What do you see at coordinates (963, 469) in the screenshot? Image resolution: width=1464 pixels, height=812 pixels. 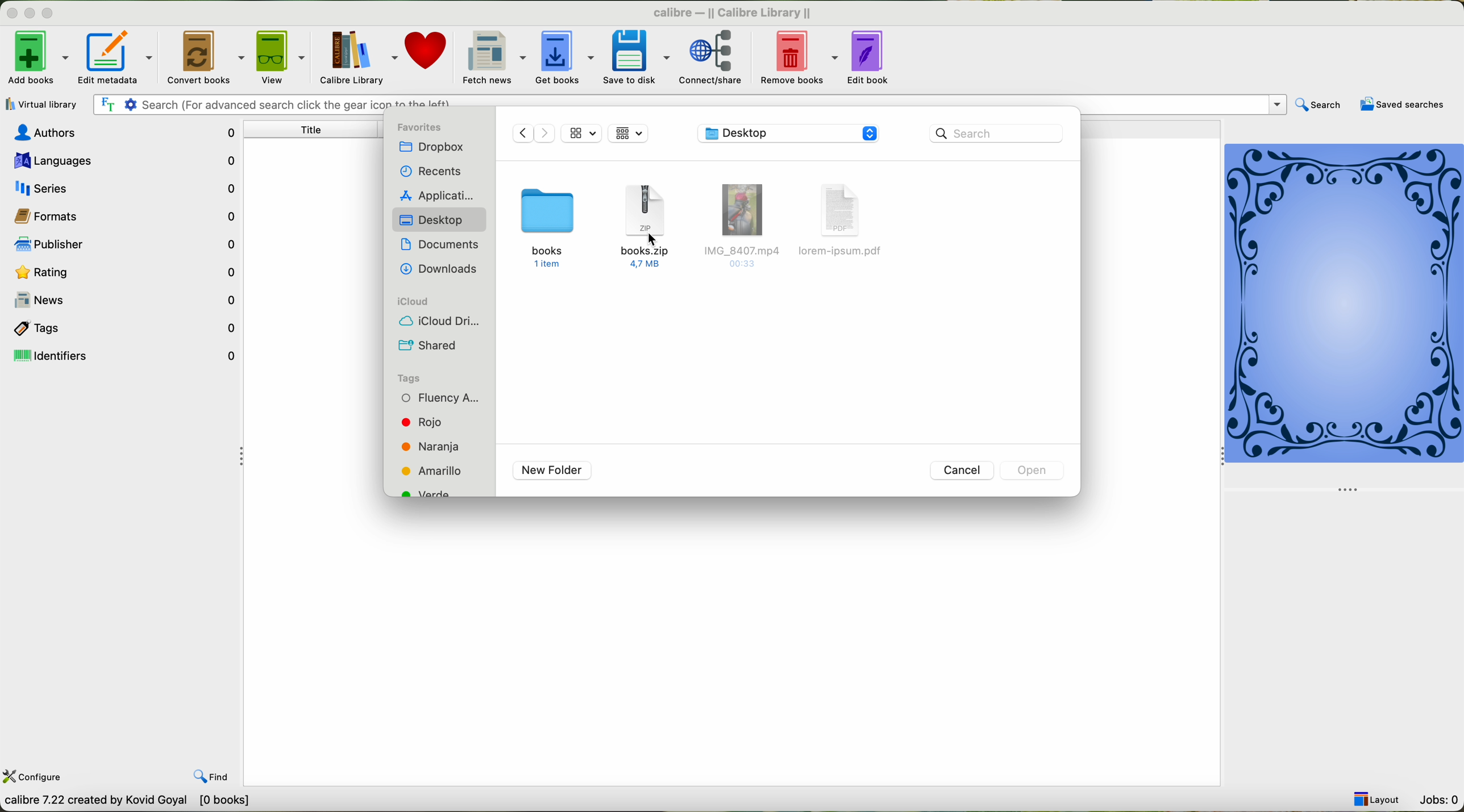 I see `cancel` at bounding box center [963, 469].